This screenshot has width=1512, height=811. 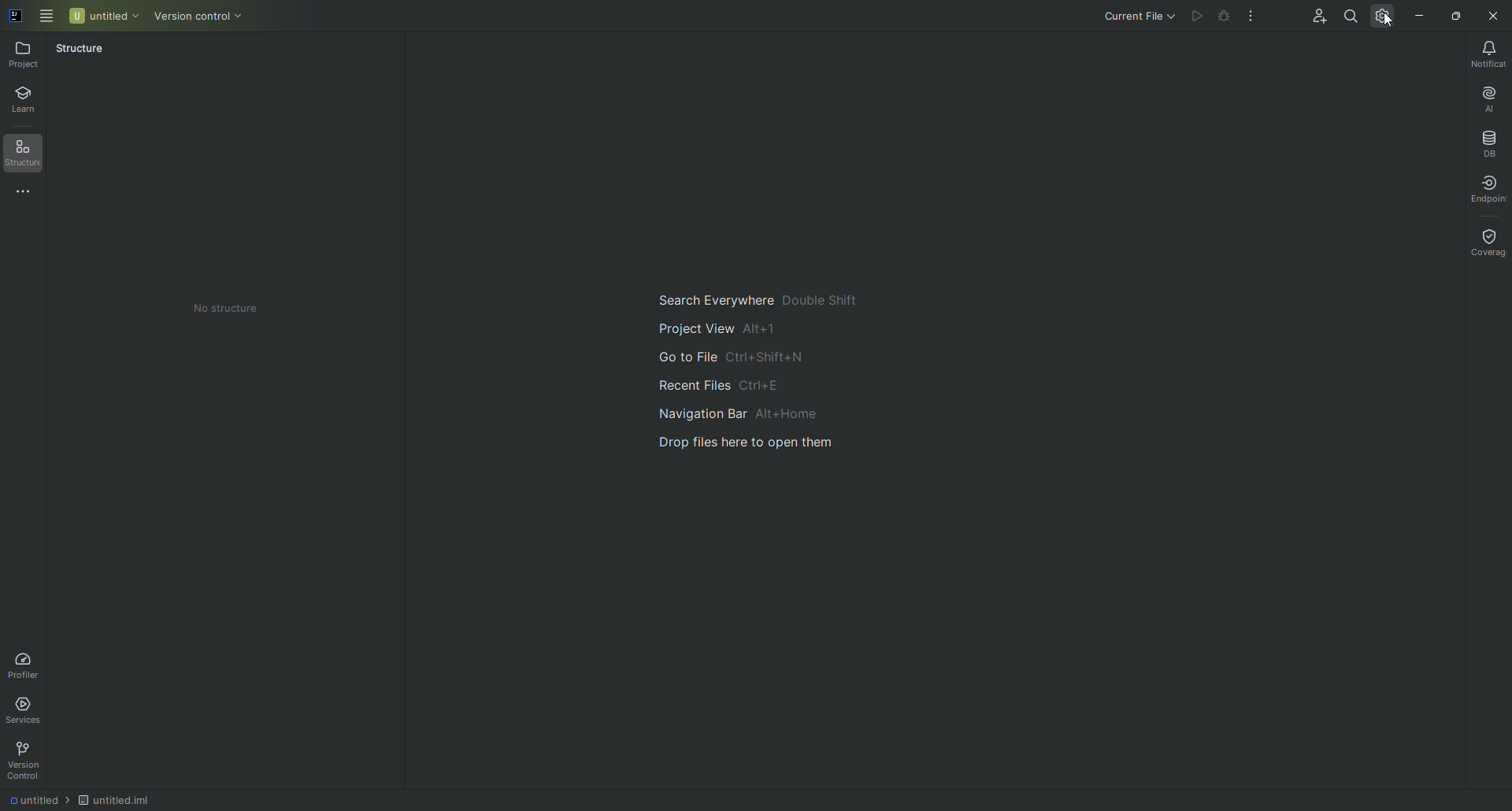 I want to click on Structure, so click(x=24, y=157).